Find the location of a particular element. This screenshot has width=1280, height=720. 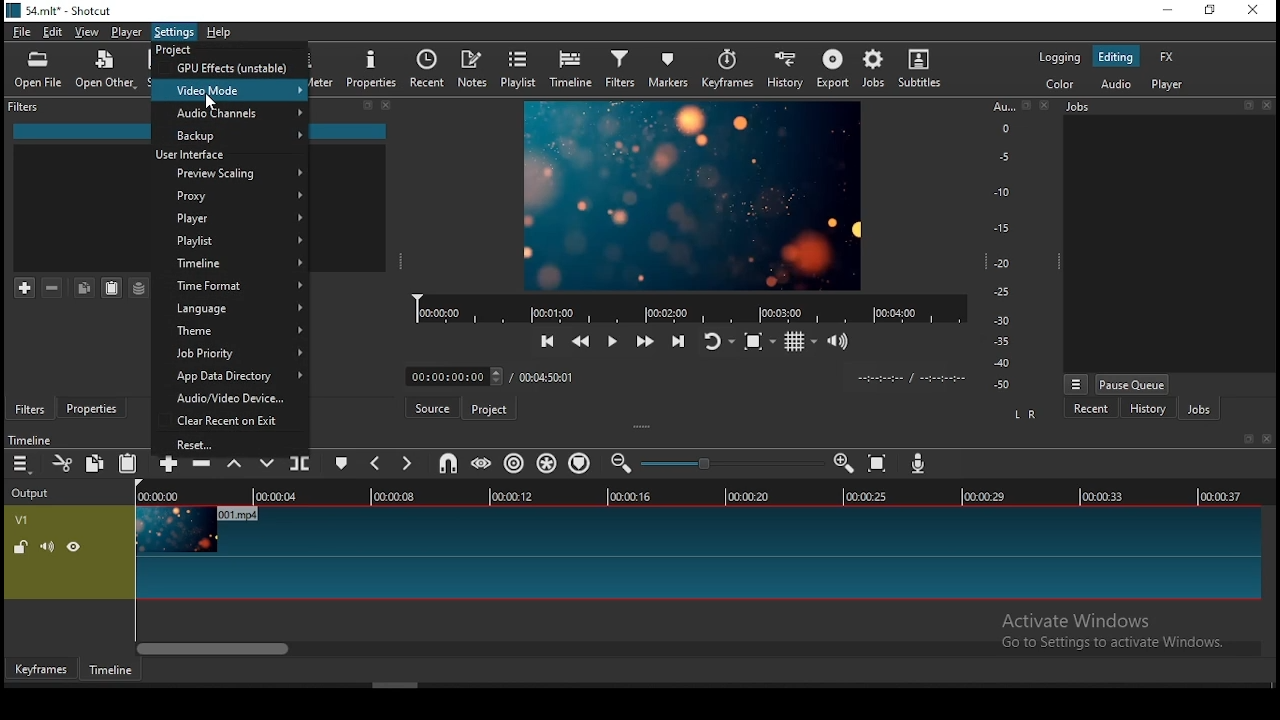

user interface is located at coordinates (196, 154).